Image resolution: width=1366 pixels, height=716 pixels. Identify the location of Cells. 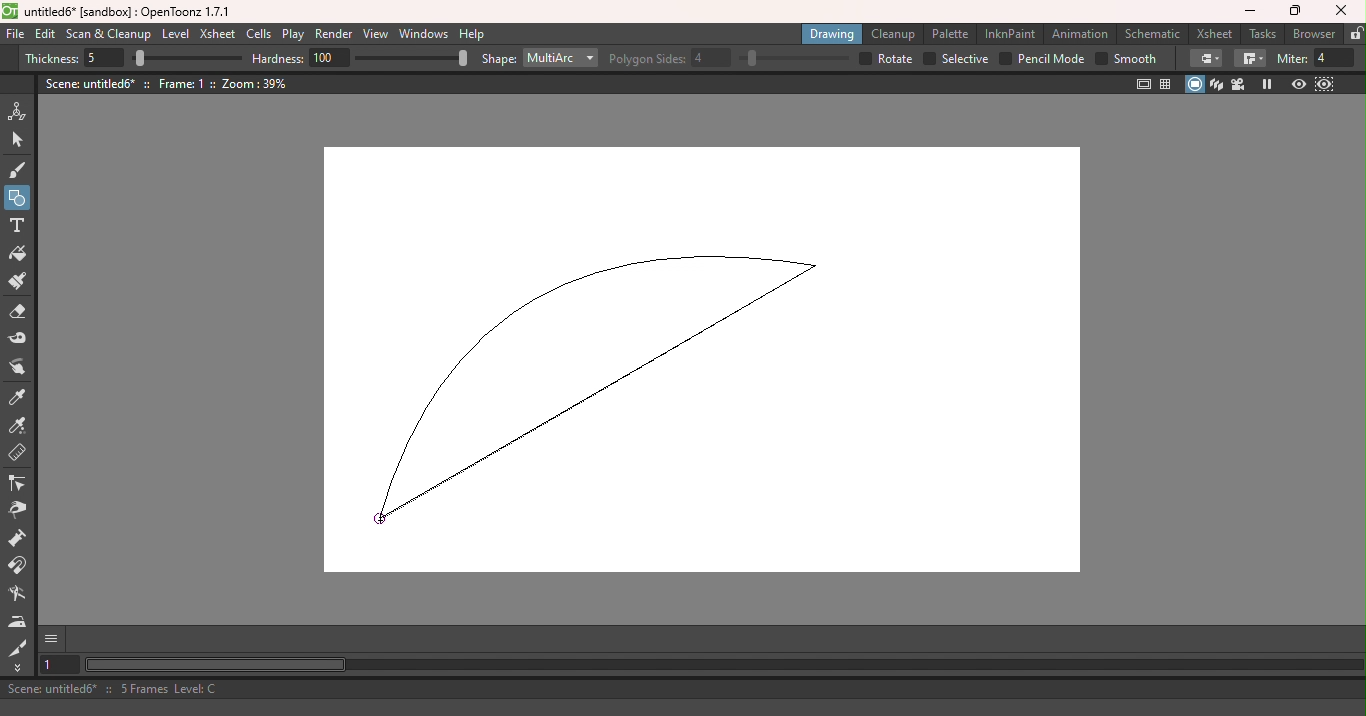
(258, 35).